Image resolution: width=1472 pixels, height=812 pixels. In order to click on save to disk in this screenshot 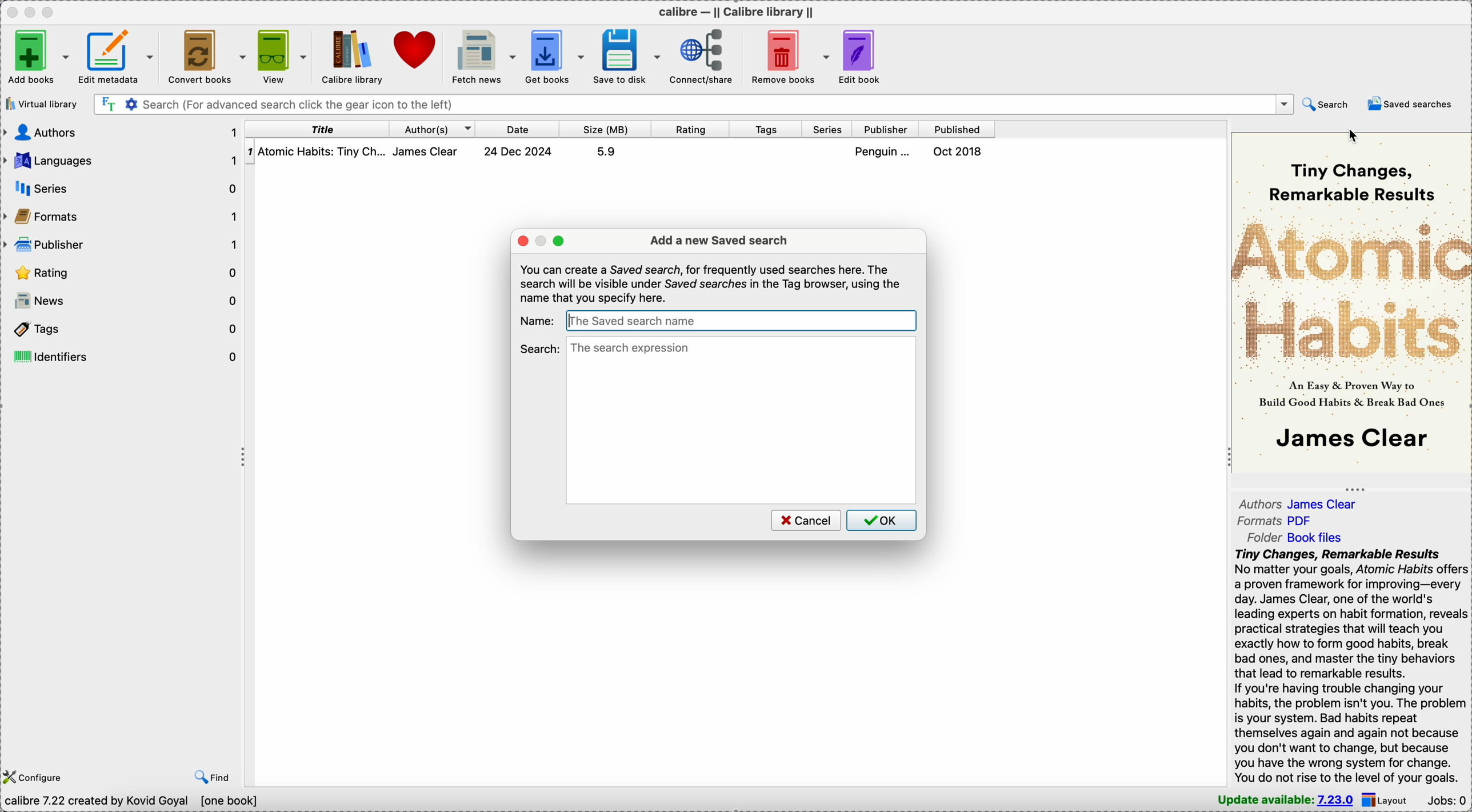, I will do `click(629, 55)`.